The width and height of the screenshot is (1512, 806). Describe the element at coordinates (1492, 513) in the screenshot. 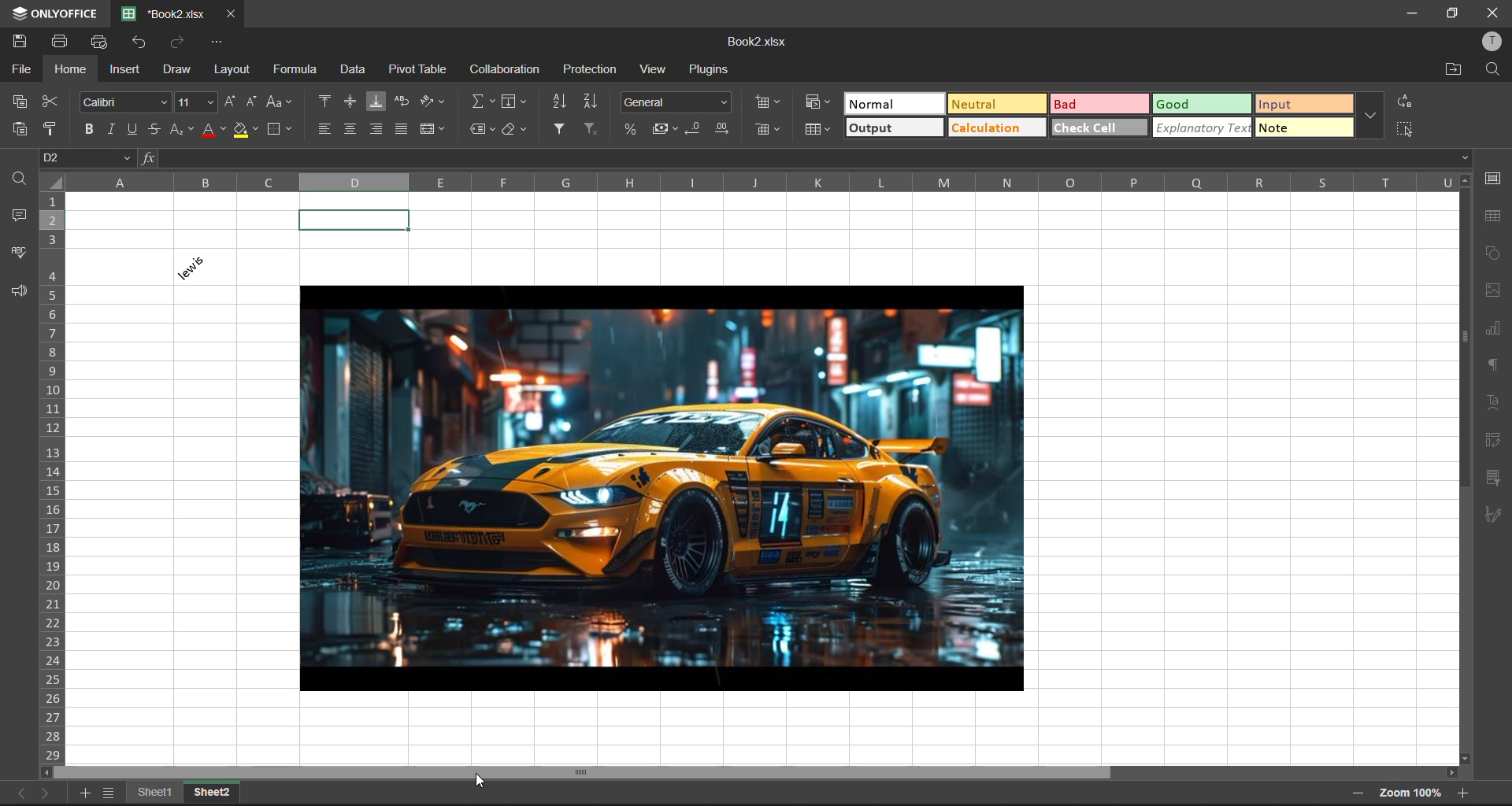

I see `signature` at that location.